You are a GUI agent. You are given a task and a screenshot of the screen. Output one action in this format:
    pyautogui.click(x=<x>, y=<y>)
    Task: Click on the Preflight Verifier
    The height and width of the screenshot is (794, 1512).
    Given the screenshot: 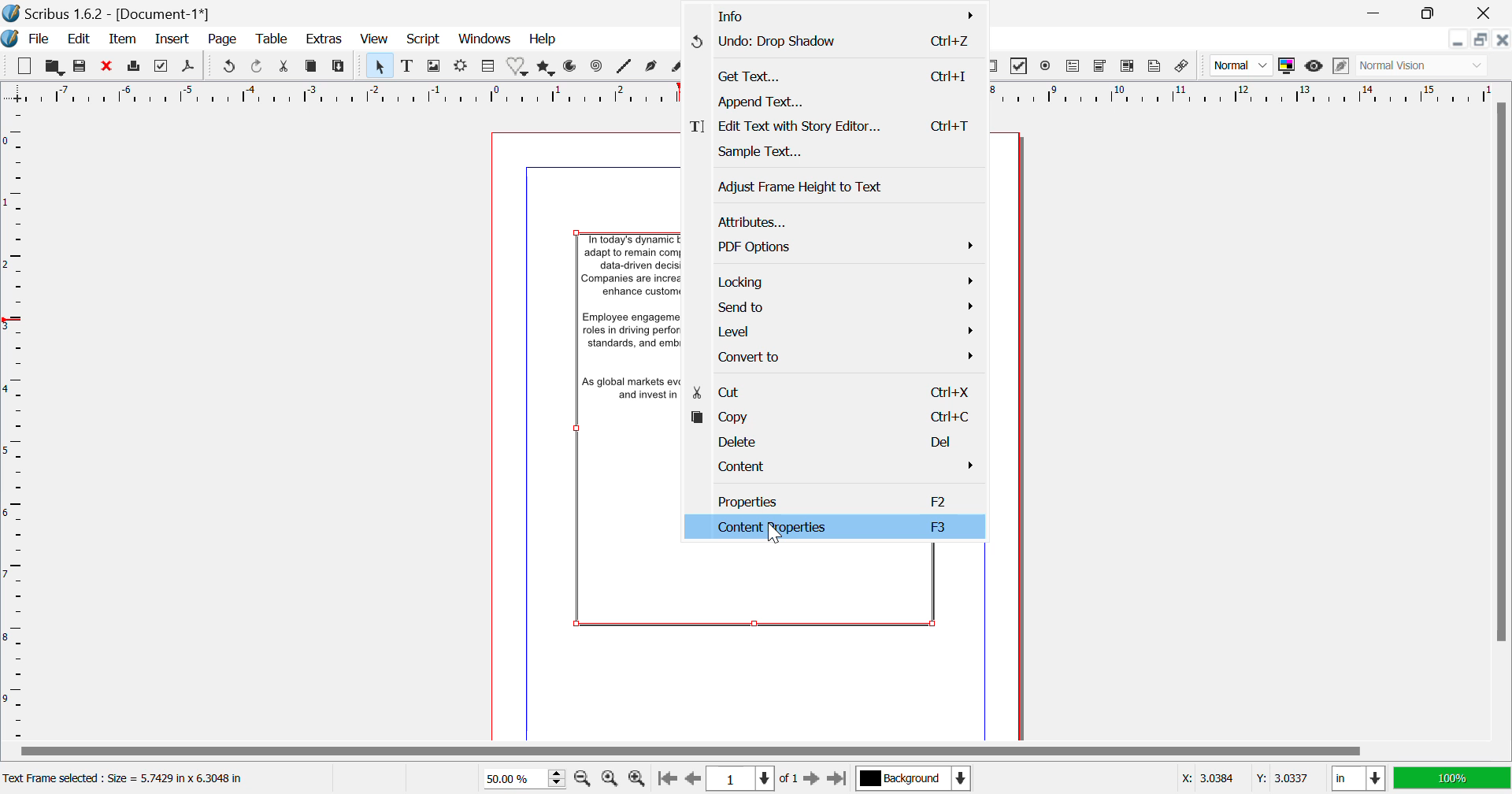 What is the action you would take?
    pyautogui.click(x=165, y=66)
    